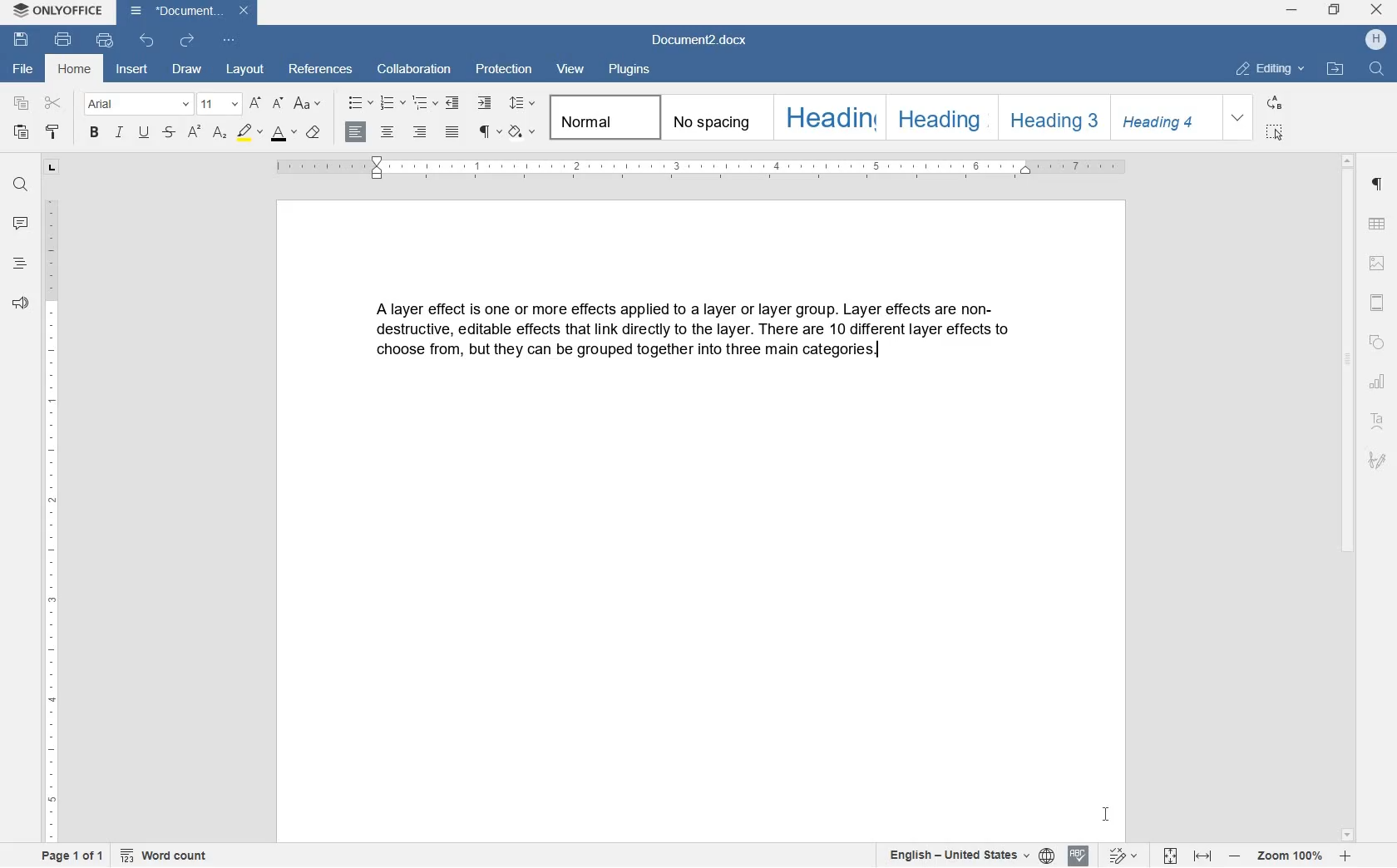 This screenshot has width=1397, height=868. Describe the element at coordinates (1377, 70) in the screenshot. I see `find` at that location.